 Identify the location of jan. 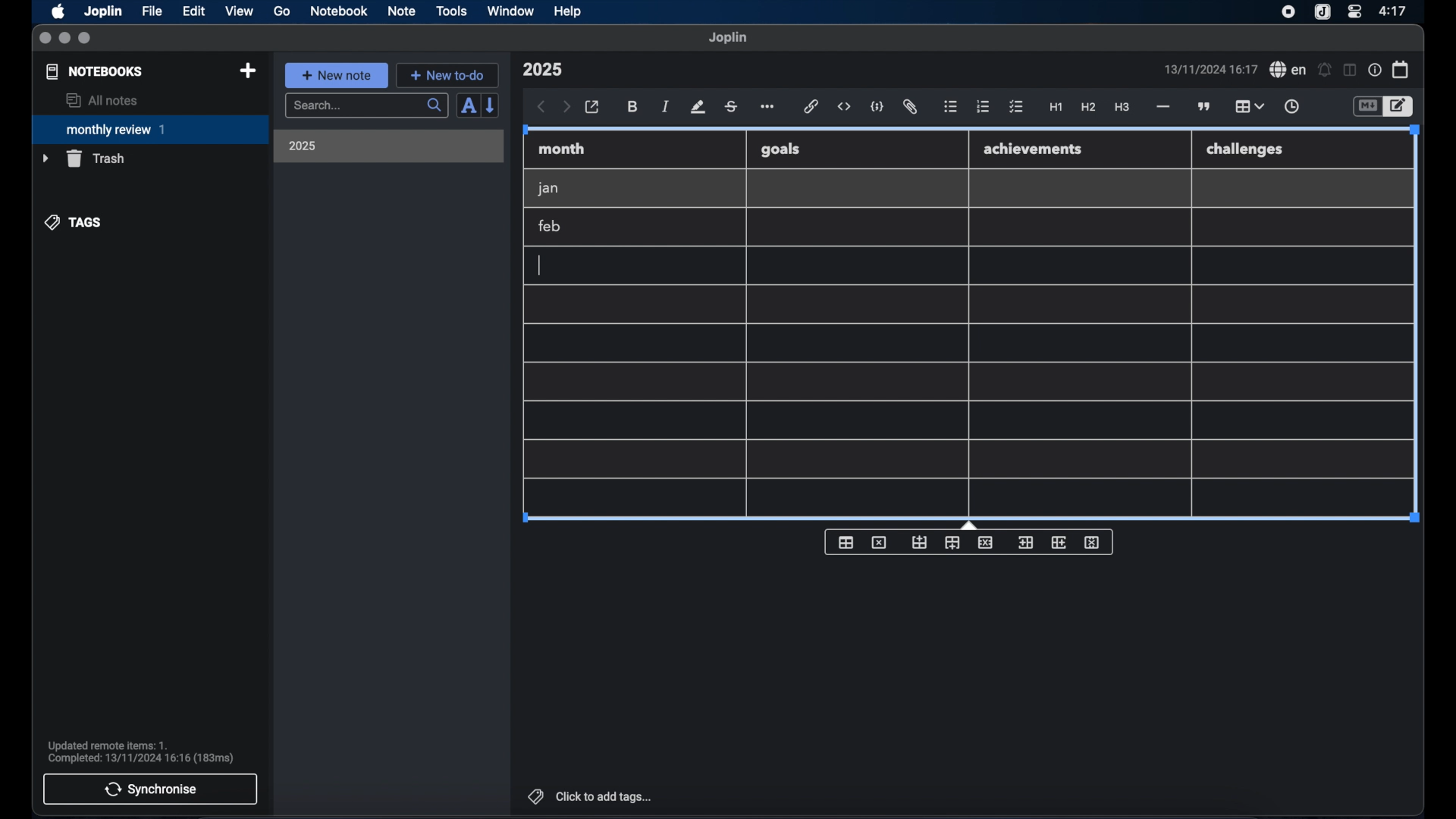
(548, 189).